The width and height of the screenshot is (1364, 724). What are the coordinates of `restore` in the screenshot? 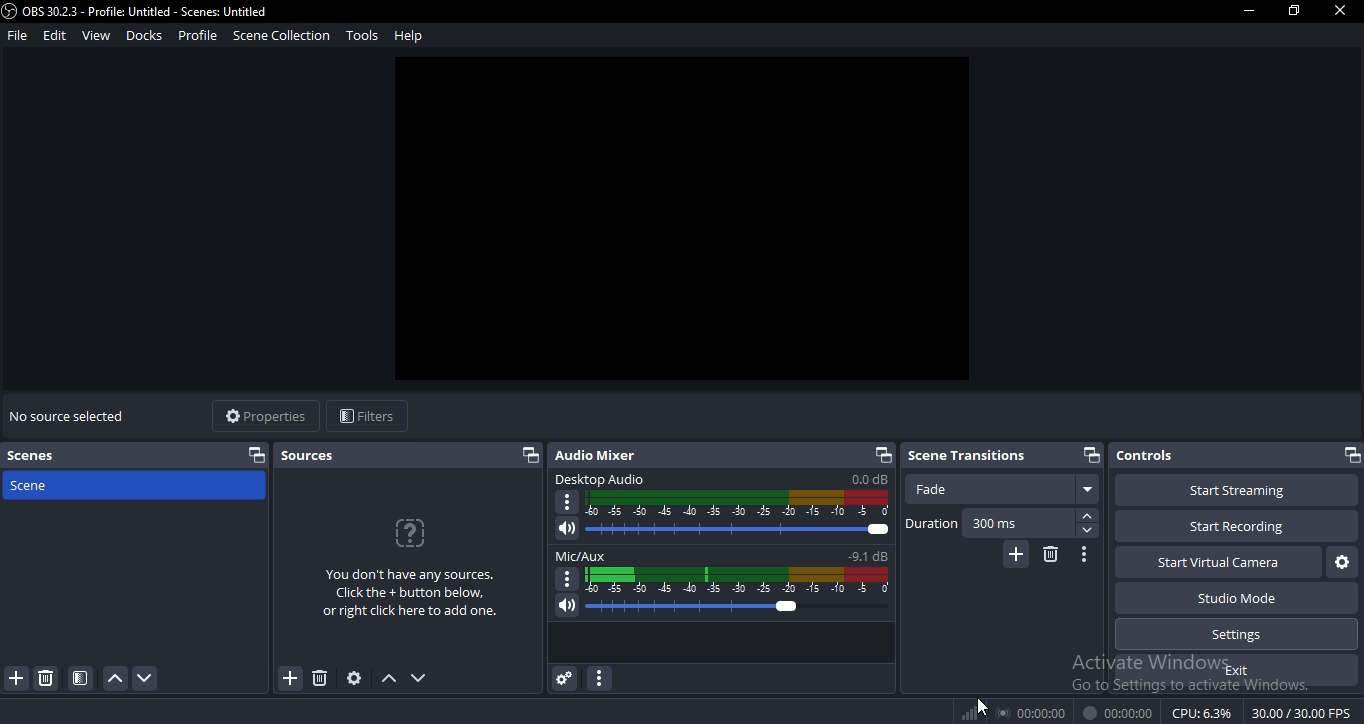 It's located at (256, 454).